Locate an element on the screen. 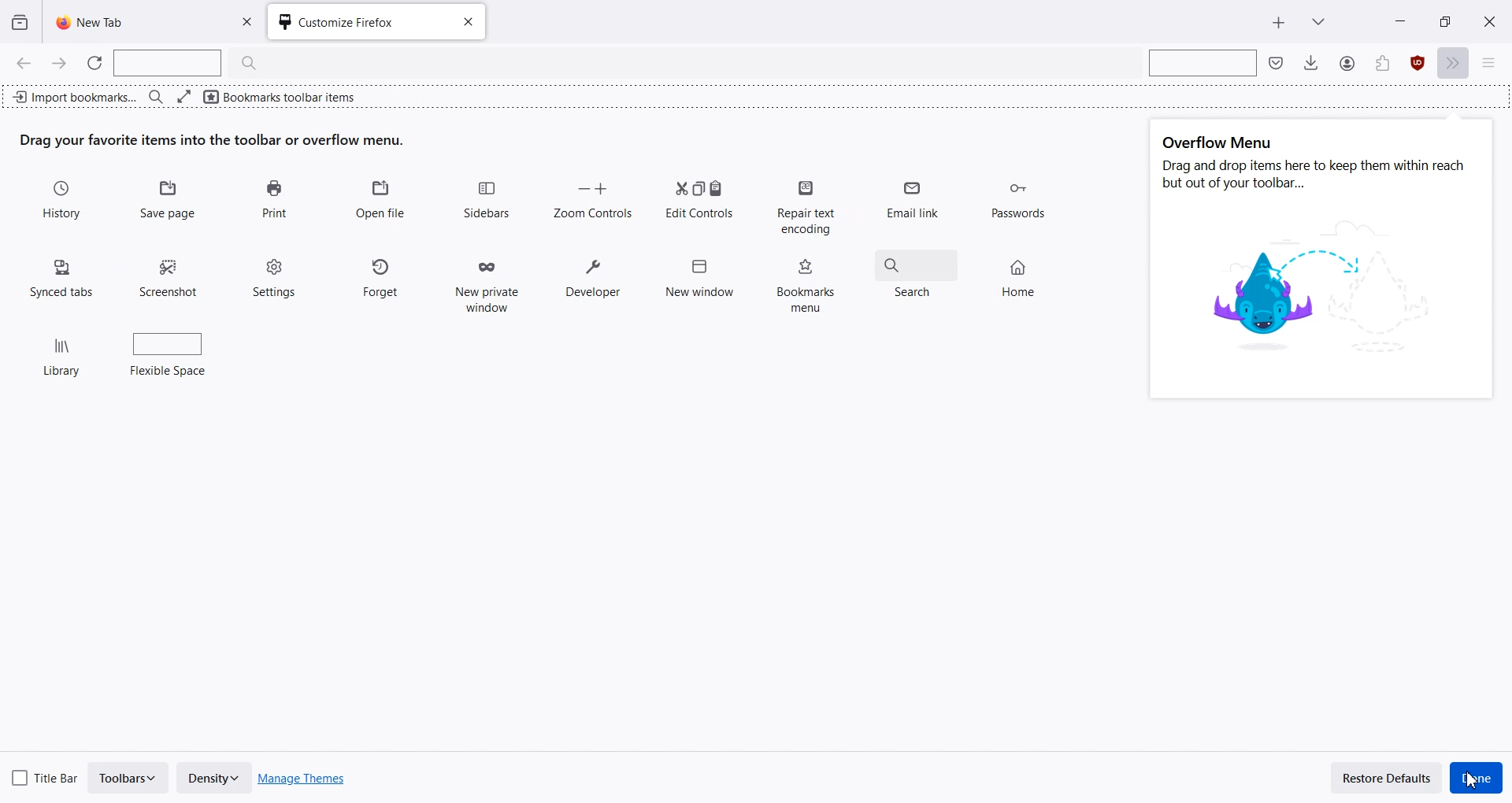  Account is located at coordinates (1382, 64).